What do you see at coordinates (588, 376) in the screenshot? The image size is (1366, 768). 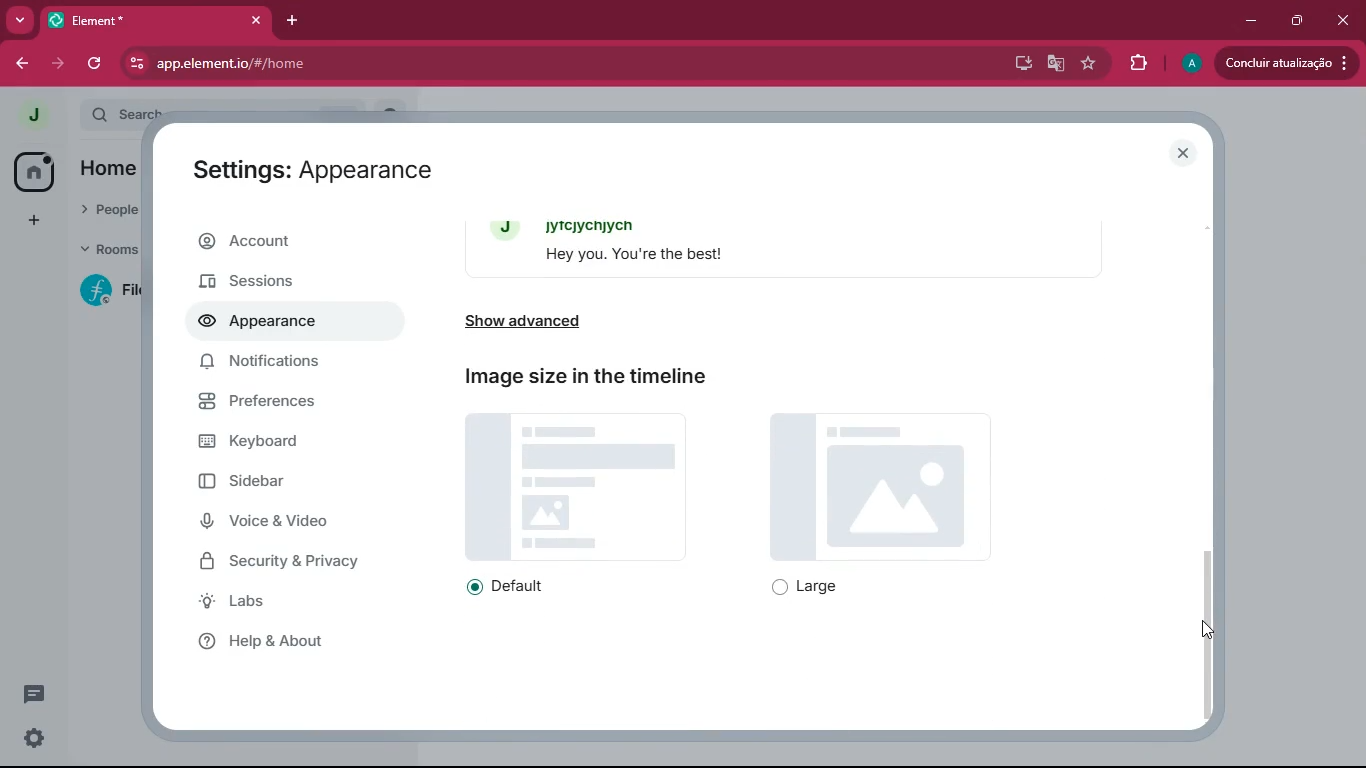 I see `Image size in the timeline` at bounding box center [588, 376].